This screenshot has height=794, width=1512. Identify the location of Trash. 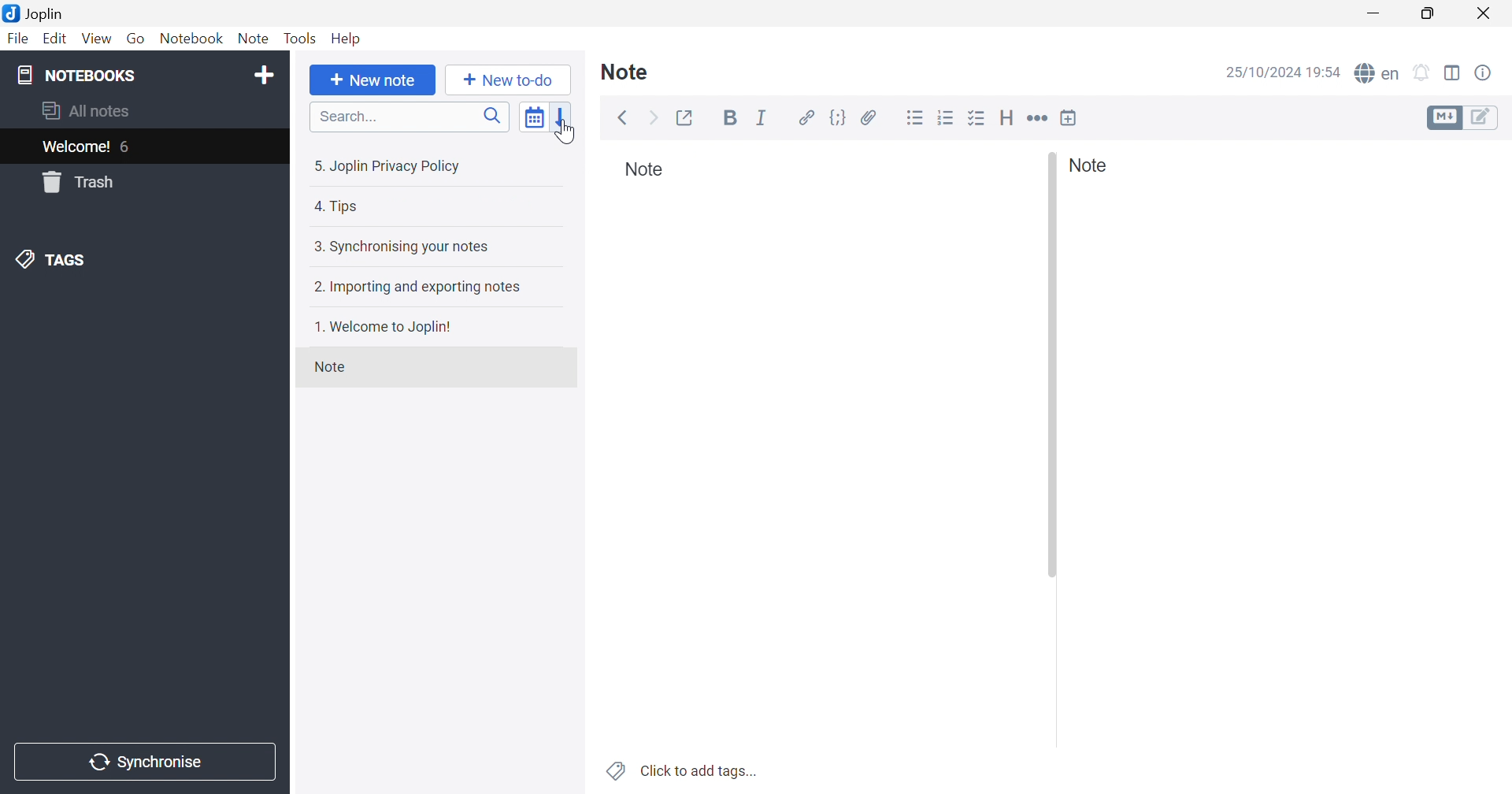
(80, 182).